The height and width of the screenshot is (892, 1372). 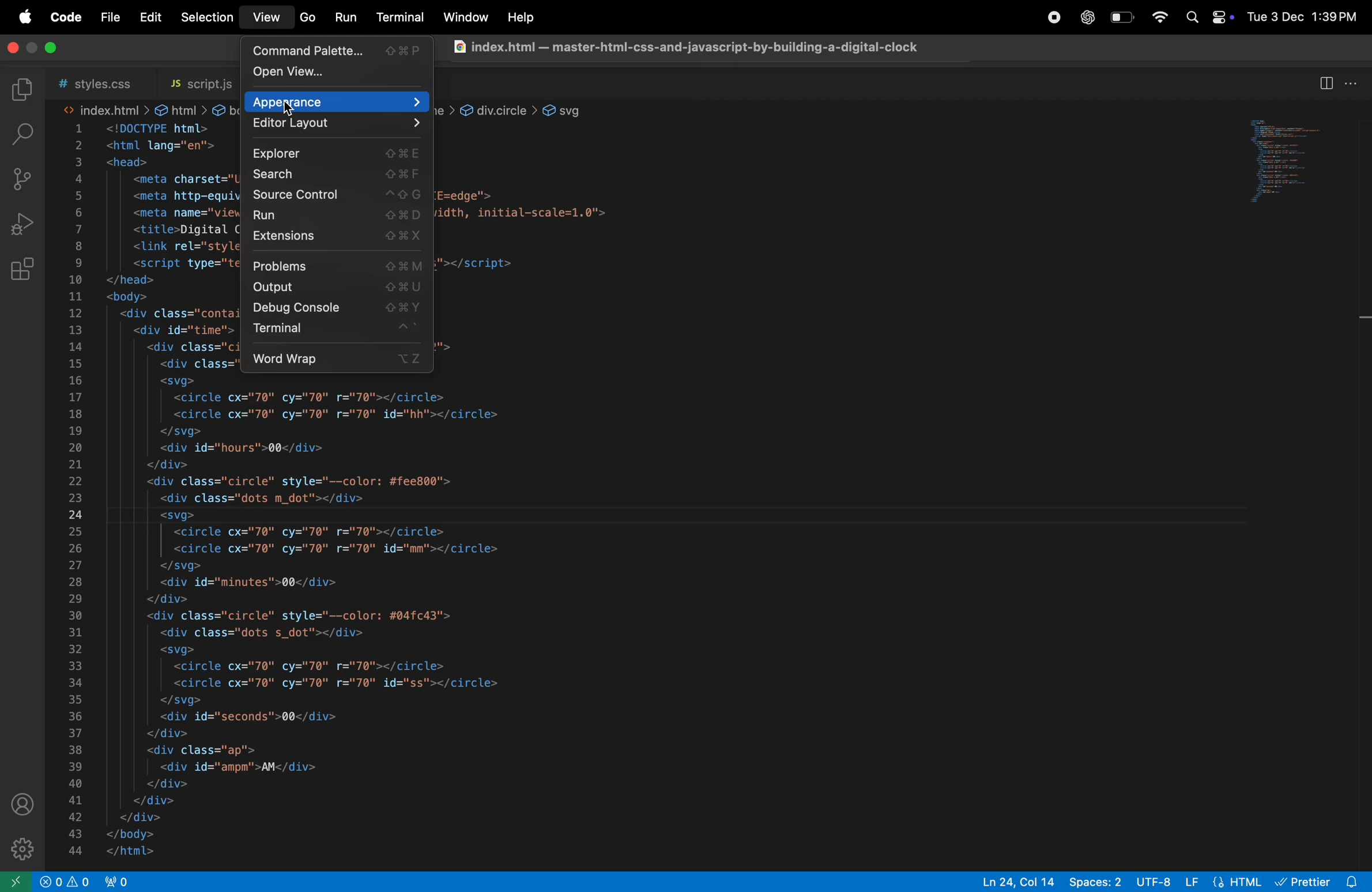 What do you see at coordinates (101, 882) in the screenshot?
I see `no ports opned` at bounding box center [101, 882].